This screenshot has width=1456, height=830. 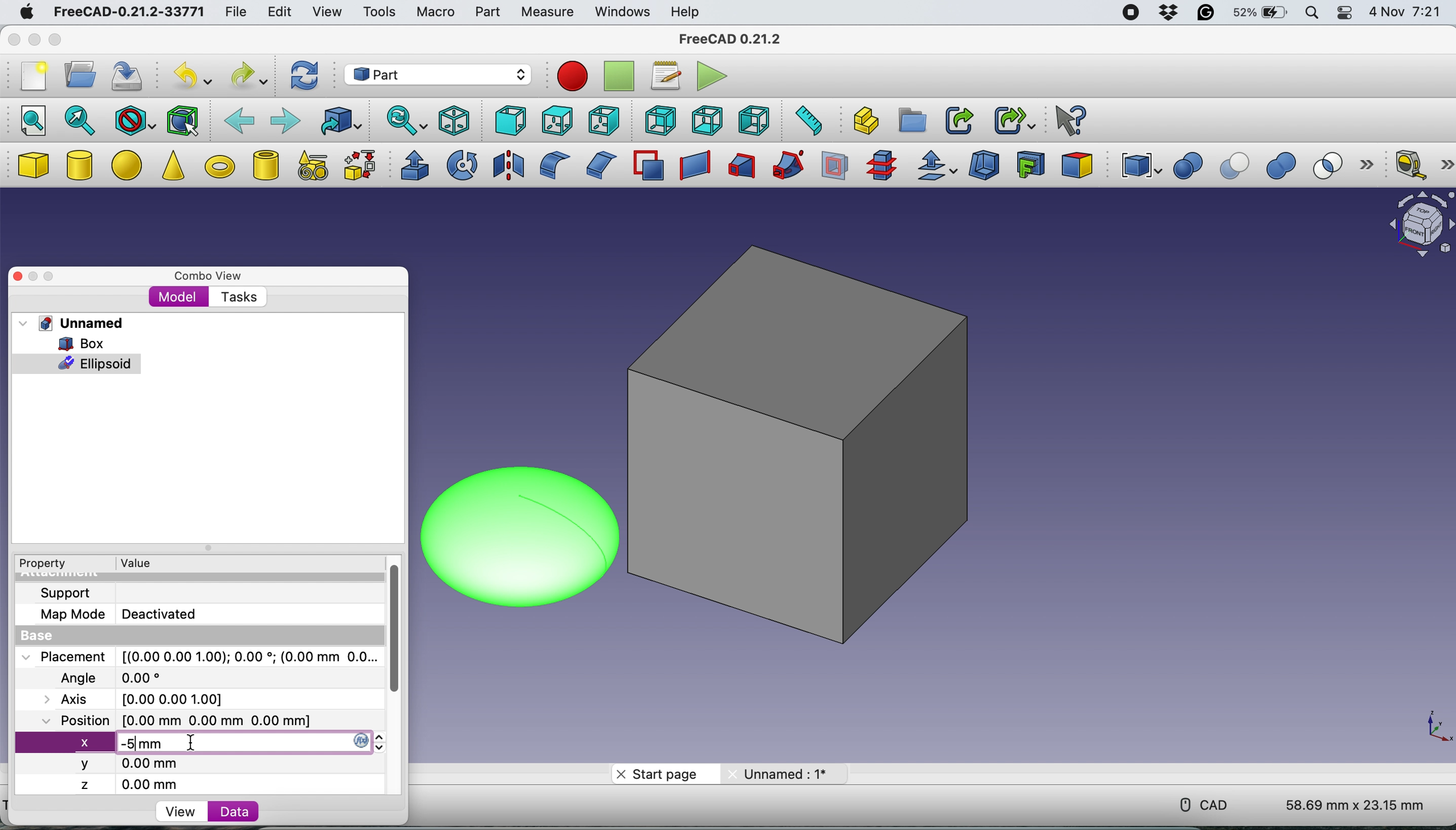 I want to click on fit selection, so click(x=80, y=120).